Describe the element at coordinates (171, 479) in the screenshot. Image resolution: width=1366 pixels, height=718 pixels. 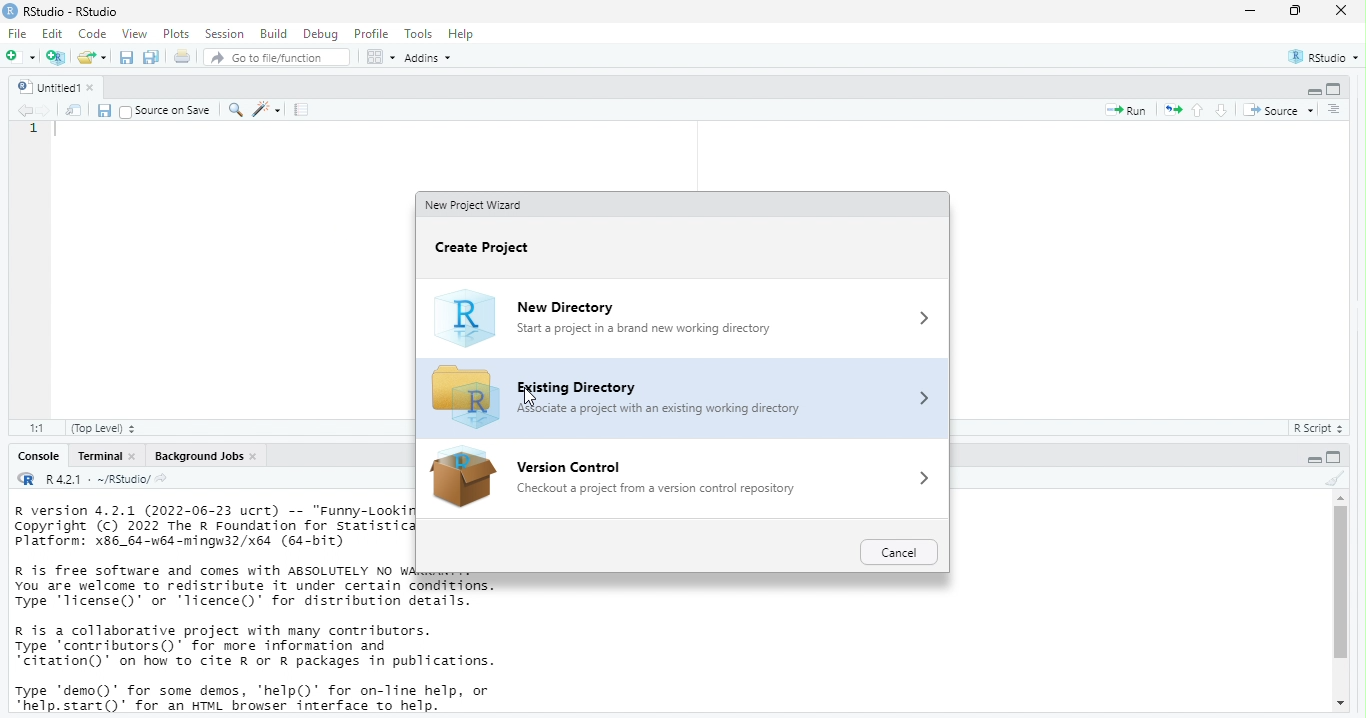
I see `view the current working directory` at that location.